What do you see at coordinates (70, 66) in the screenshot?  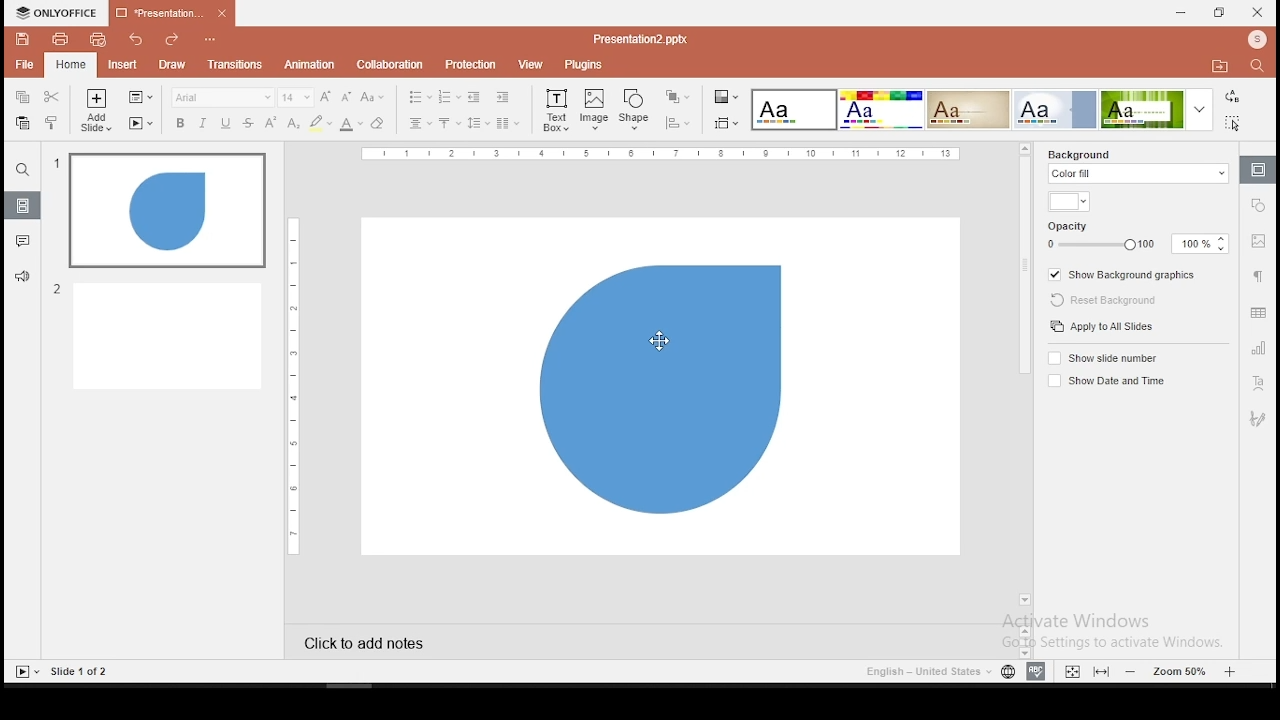 I see `home` at bounding box center [70, 66].